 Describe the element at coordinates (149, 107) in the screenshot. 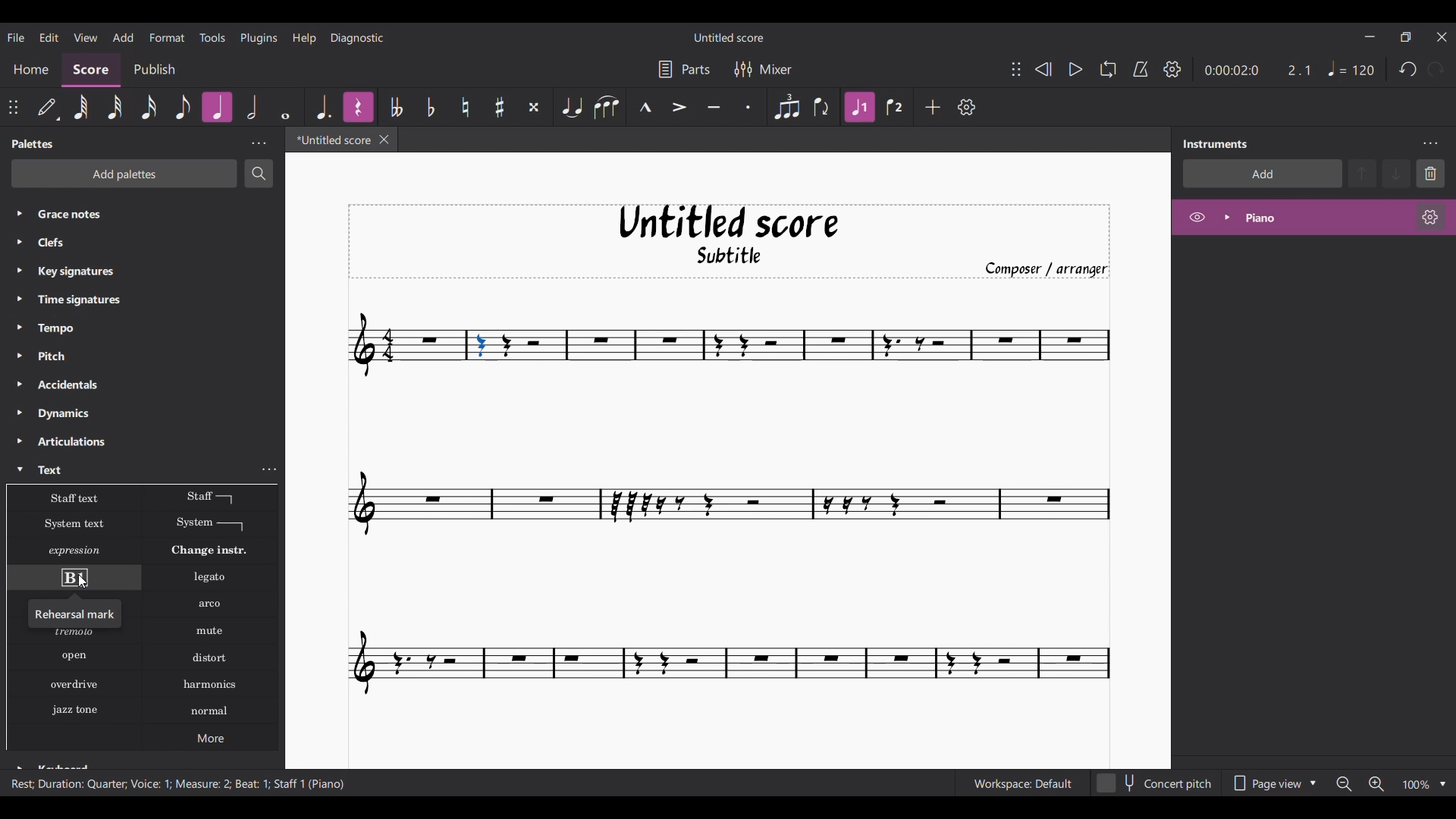

I see `16th note` at that location.